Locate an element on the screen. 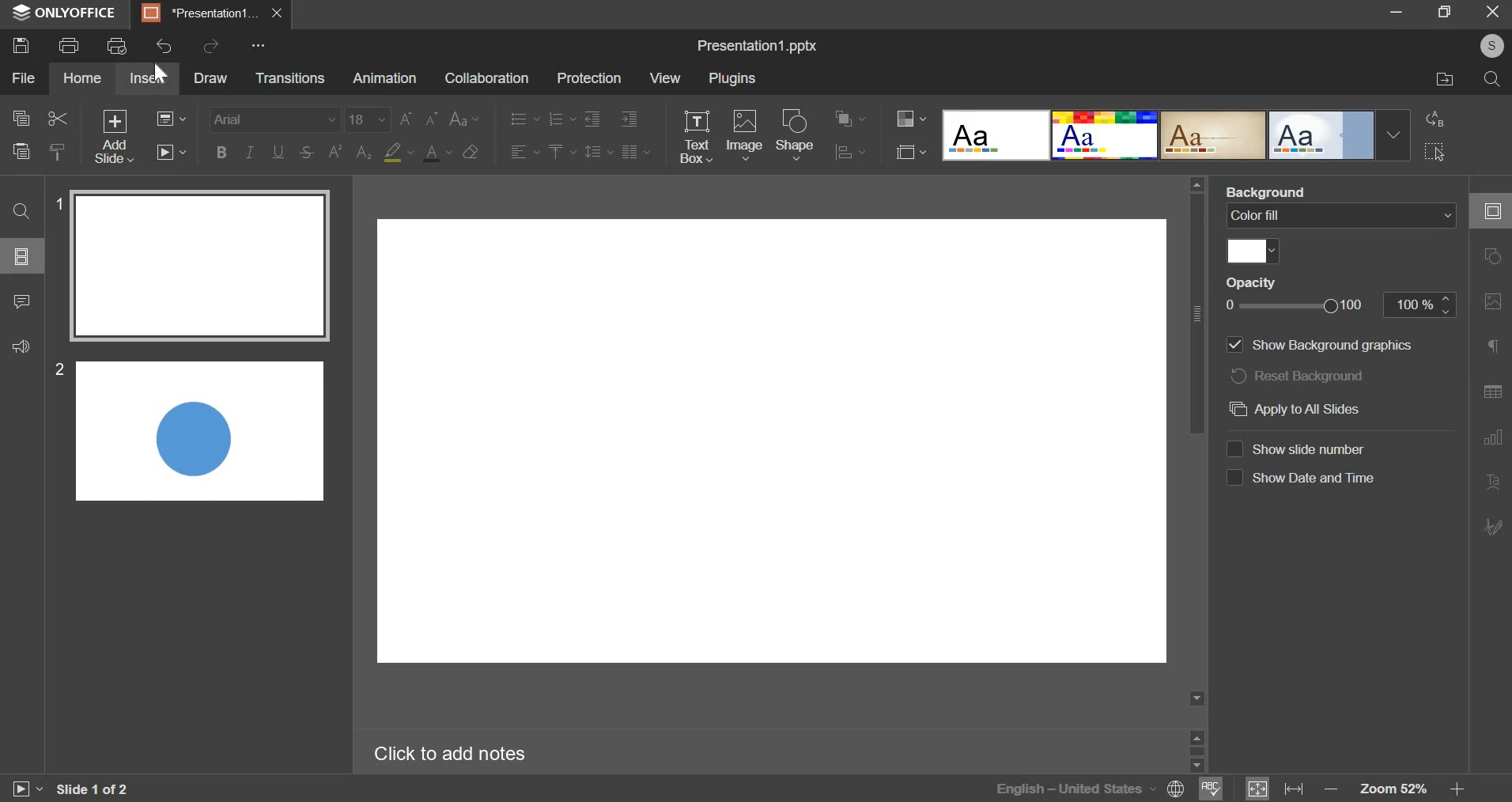 The width and height of the screenshot is (1512, 802). bold is located at coordinates (221, 151).